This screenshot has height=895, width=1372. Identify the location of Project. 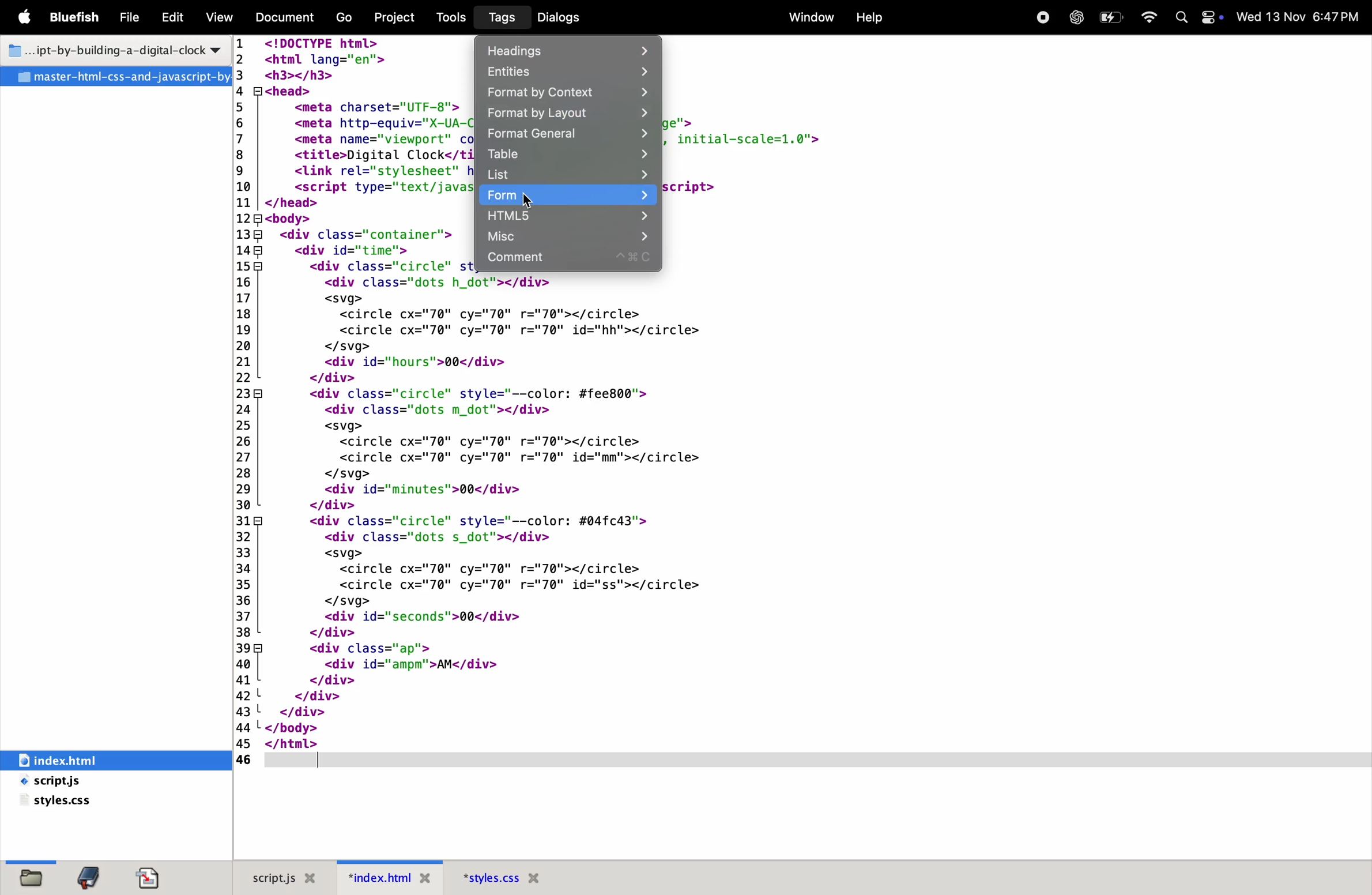
(392, 17).